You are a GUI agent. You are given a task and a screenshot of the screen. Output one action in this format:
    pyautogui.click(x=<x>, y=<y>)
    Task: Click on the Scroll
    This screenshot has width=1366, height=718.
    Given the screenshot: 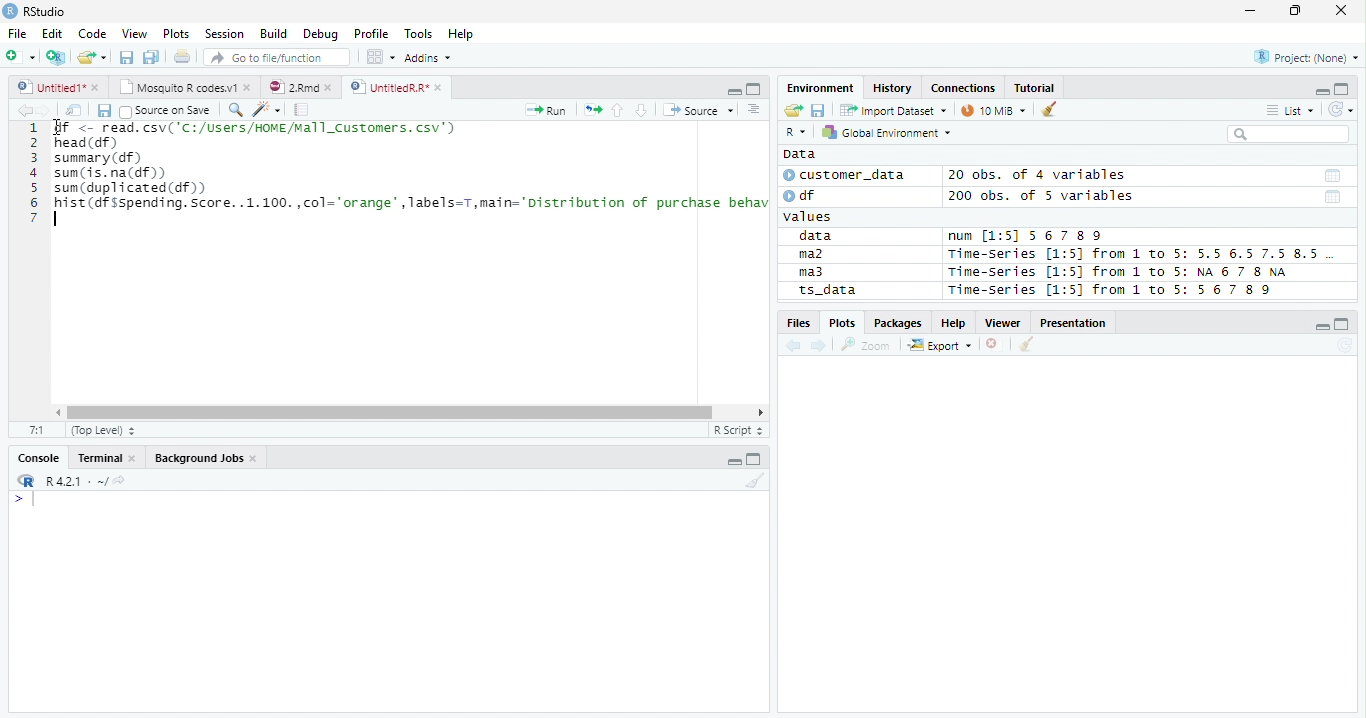 What is the action you would take?
    pyautogui.click(x=407, y=414)
    